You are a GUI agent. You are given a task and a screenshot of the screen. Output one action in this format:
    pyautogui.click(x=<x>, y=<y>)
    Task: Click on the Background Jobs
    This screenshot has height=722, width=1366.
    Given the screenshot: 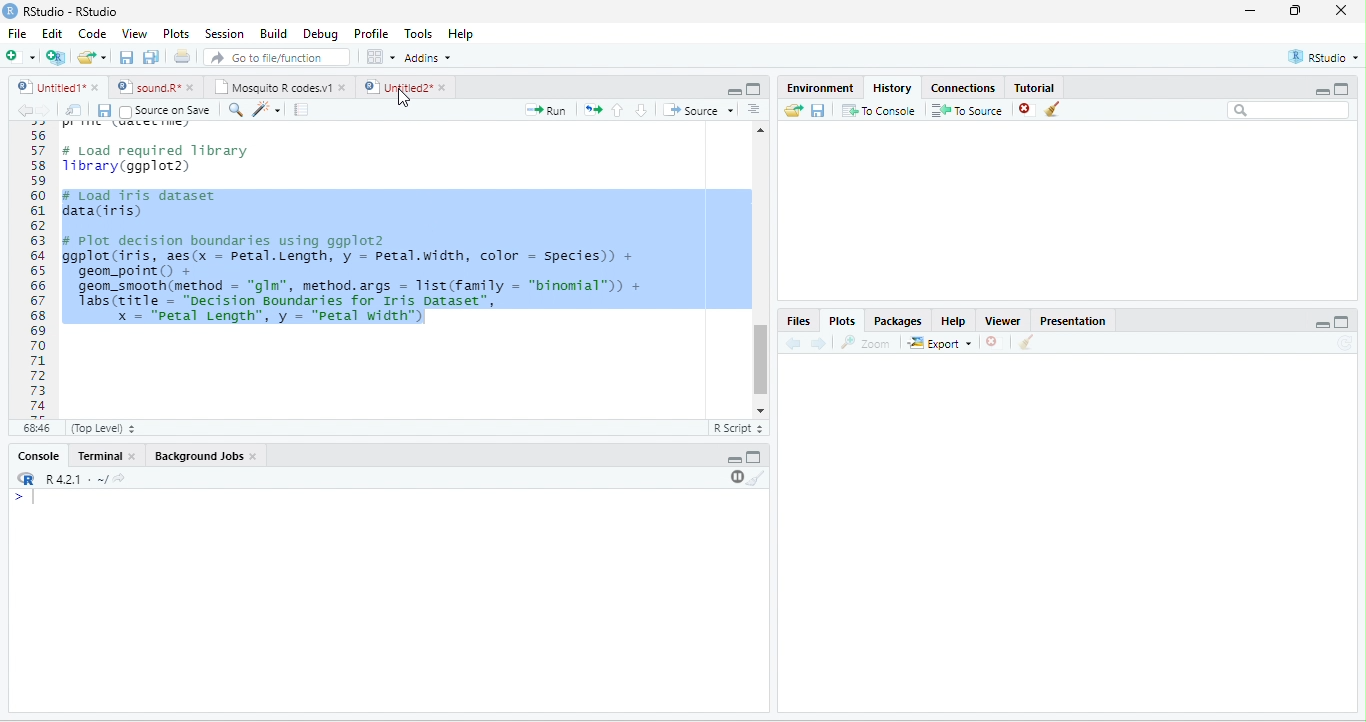 What is the action you would take?
    pyautogui.click(x=197, y=456)
    